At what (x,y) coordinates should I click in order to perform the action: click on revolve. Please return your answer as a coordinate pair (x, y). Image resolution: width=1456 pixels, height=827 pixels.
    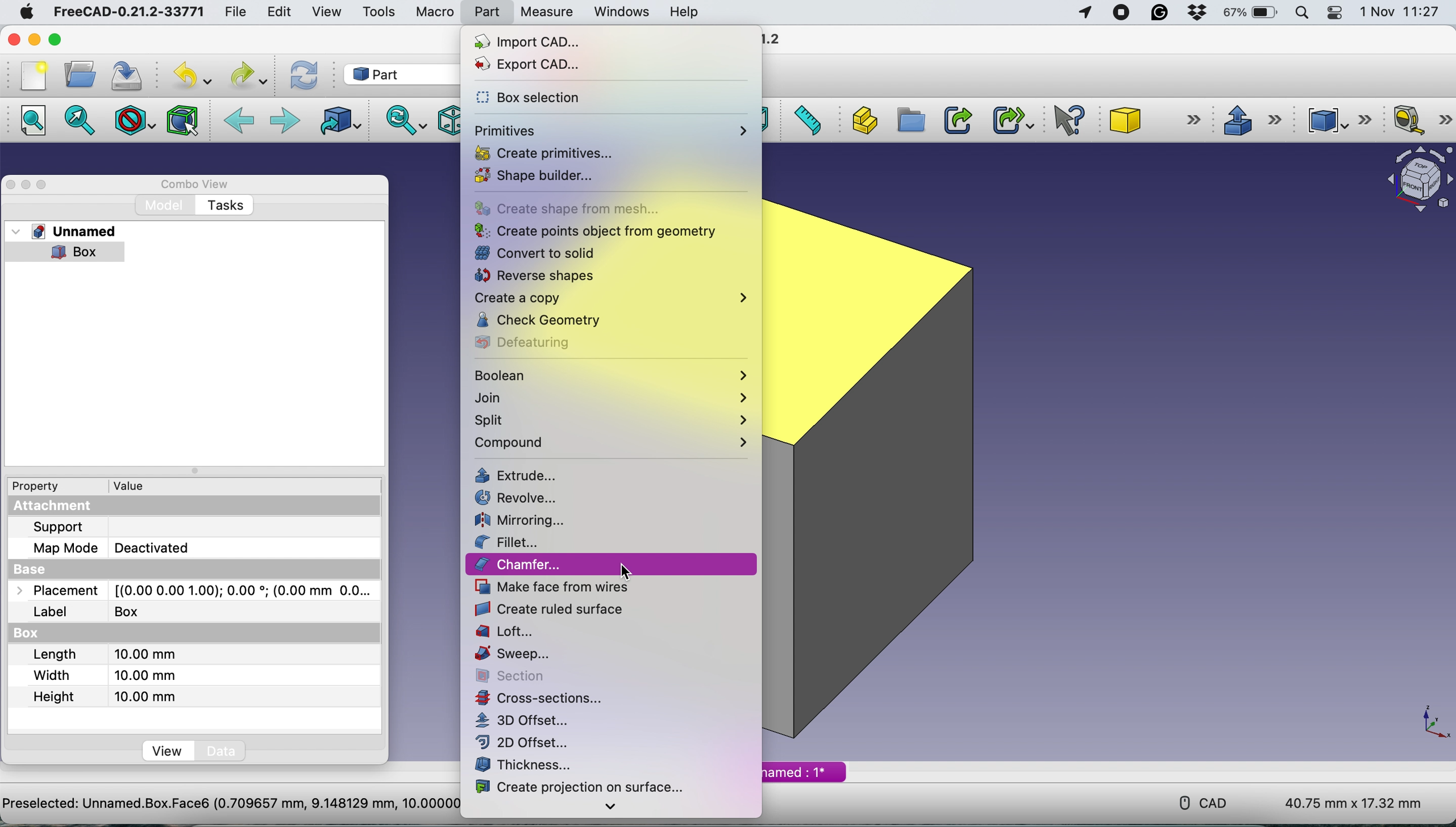
    Looking at the image, I should click on (518, 497).